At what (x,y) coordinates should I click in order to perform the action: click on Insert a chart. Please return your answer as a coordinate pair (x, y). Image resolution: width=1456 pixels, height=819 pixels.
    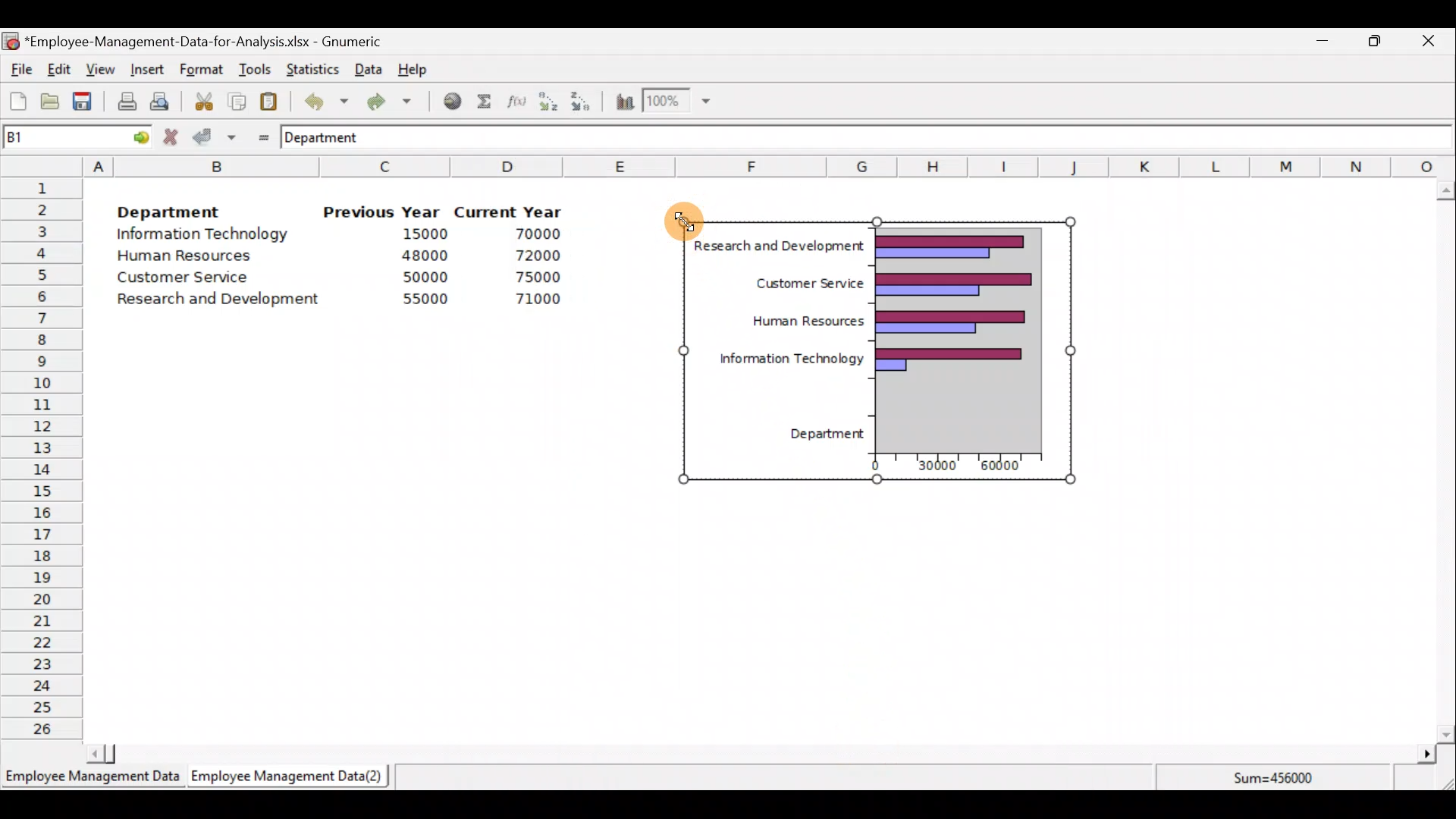
    Looking at the image, I should click on (621, 103).